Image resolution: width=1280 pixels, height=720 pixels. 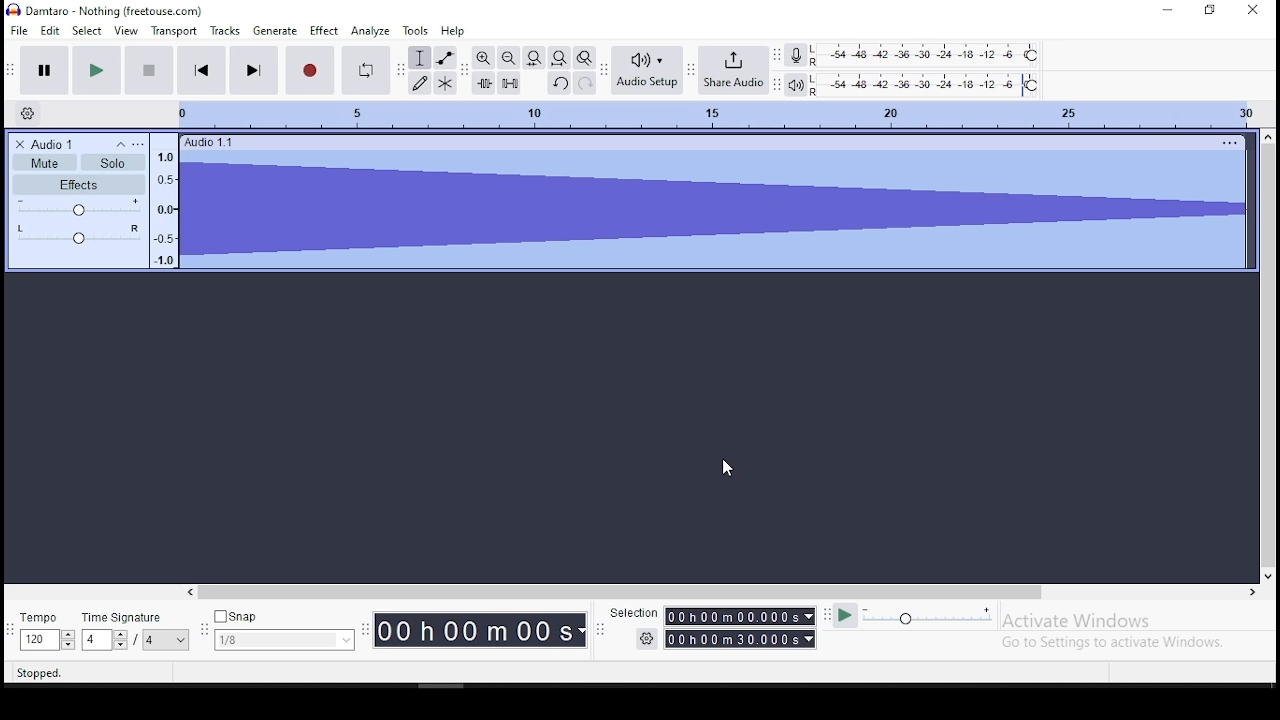 I want to click on playback meter, so click(x=797, y=85).